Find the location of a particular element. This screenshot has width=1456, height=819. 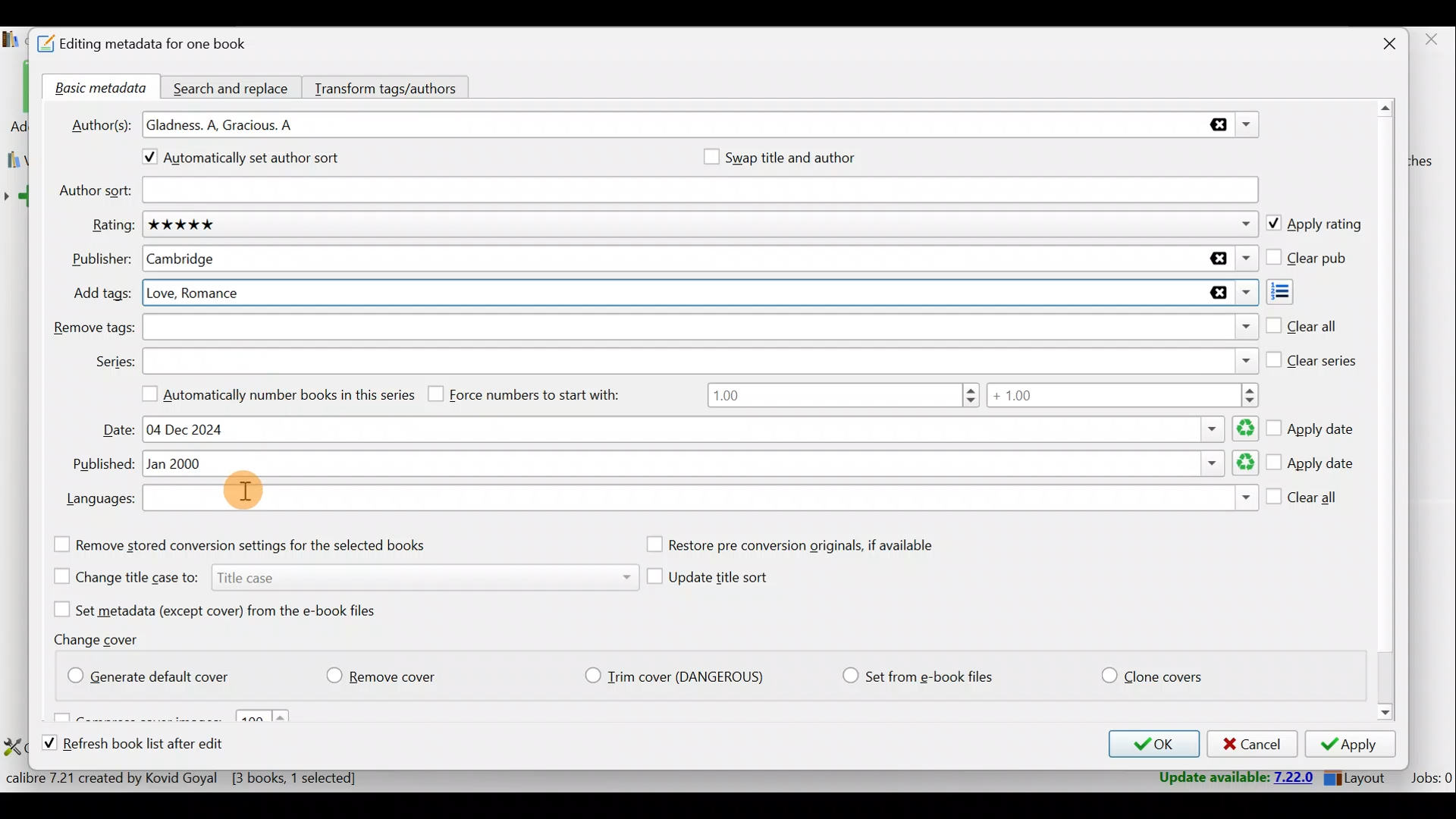

Languages is located at coordinates (700, 500).